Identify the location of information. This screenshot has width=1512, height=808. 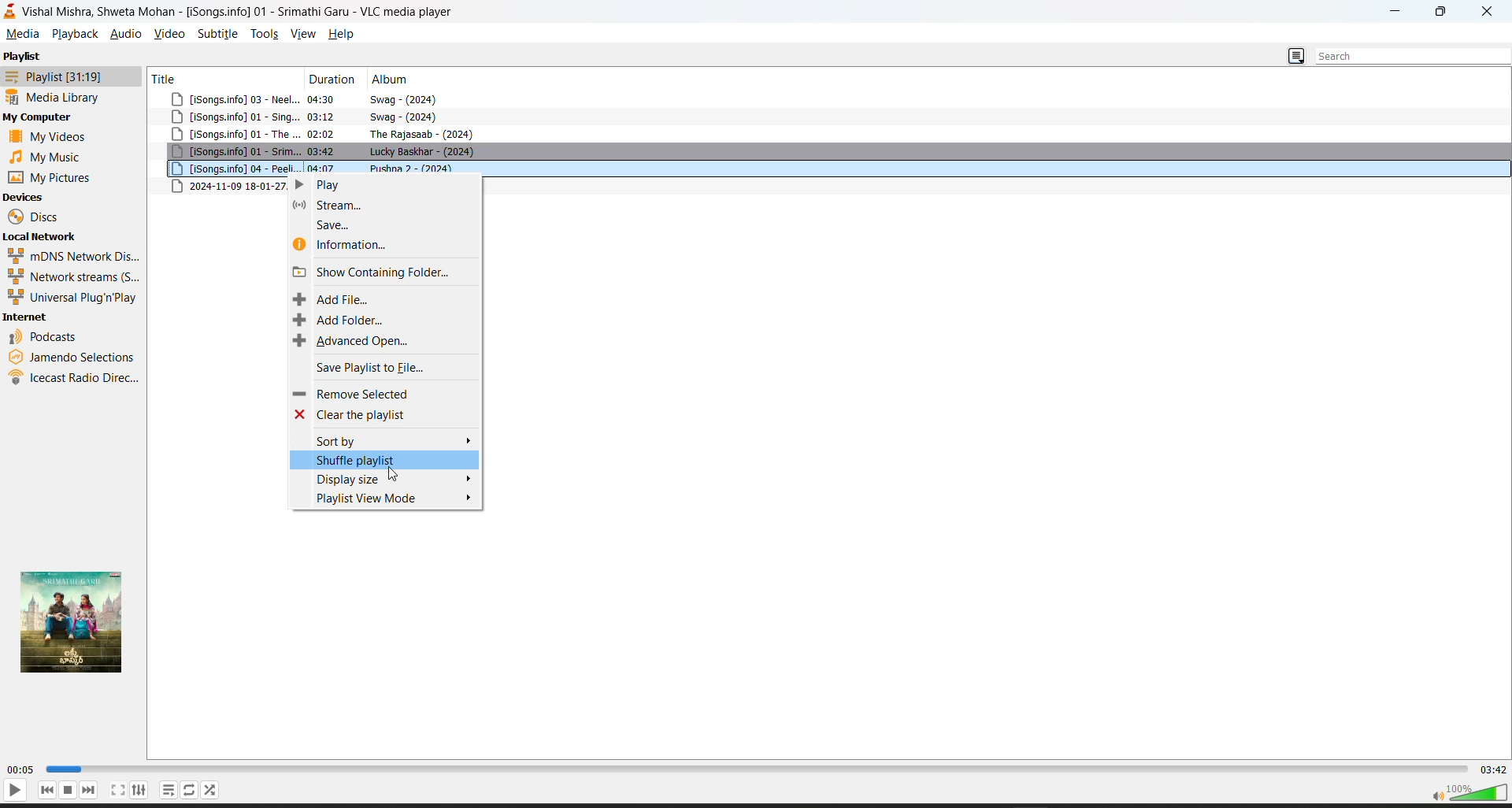
(338, 246).